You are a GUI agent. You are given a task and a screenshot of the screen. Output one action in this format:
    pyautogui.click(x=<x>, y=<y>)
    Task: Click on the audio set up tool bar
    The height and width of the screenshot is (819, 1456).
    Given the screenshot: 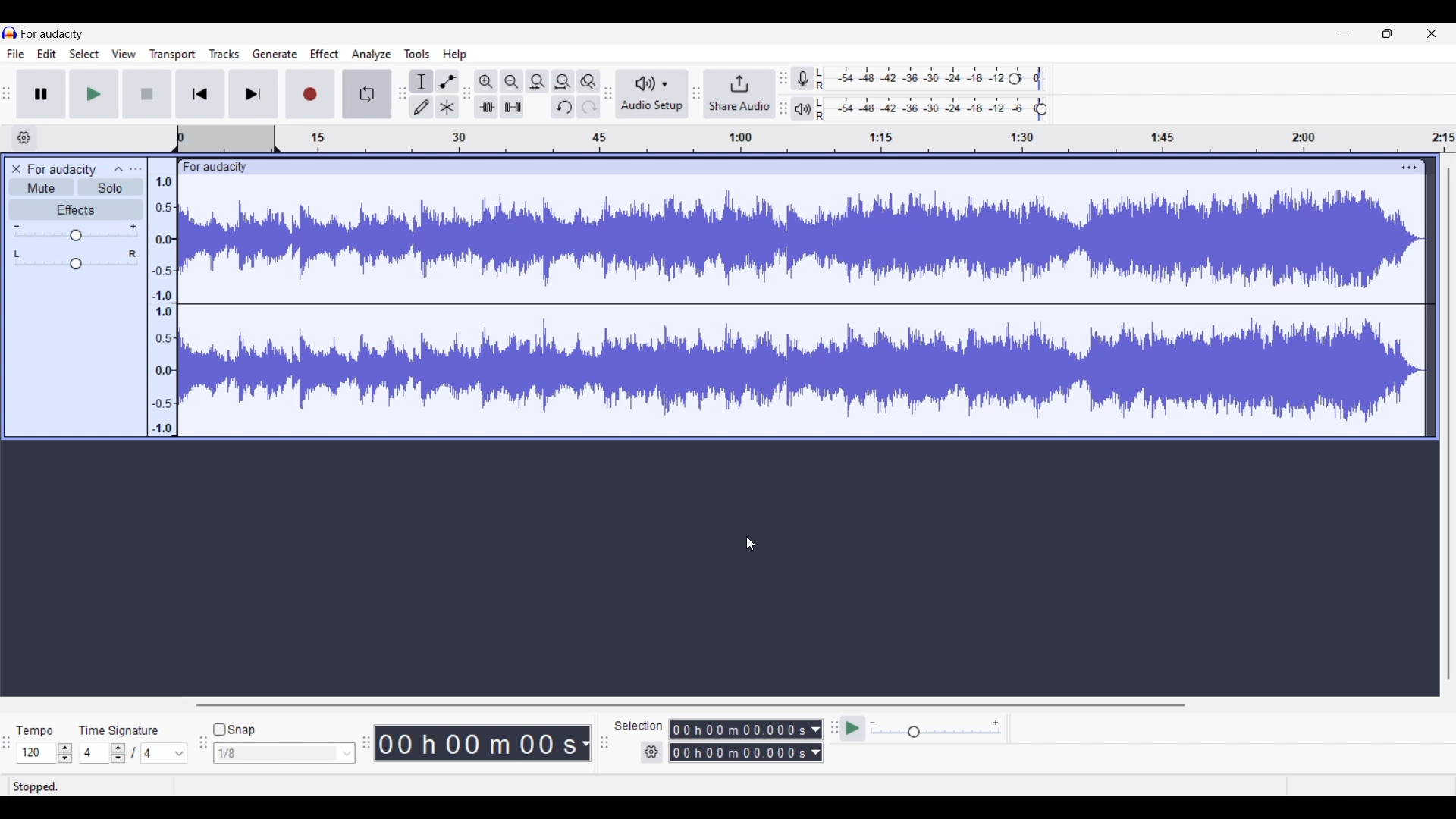 What is the action you would take?
    pyautogui.click(x=607, y=96)
    